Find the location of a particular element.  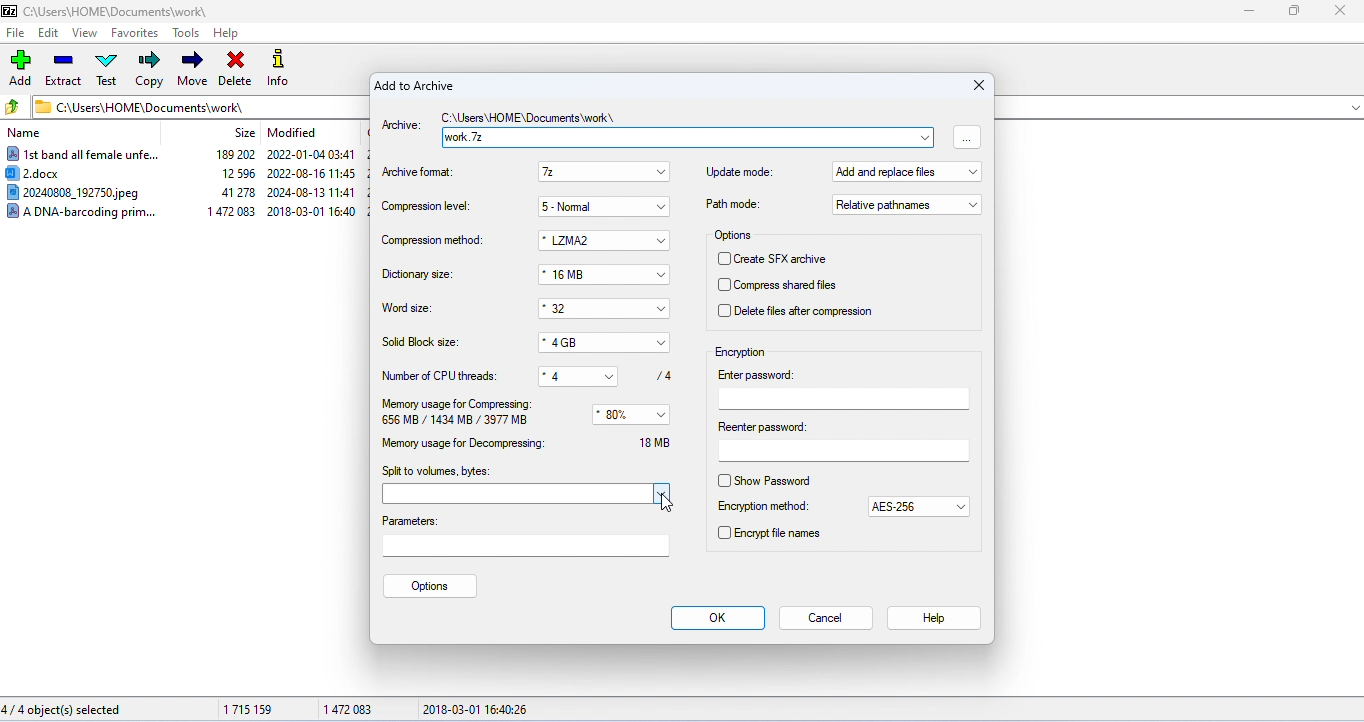

4/4 object(s) selected is located at coordinates (62, 710).